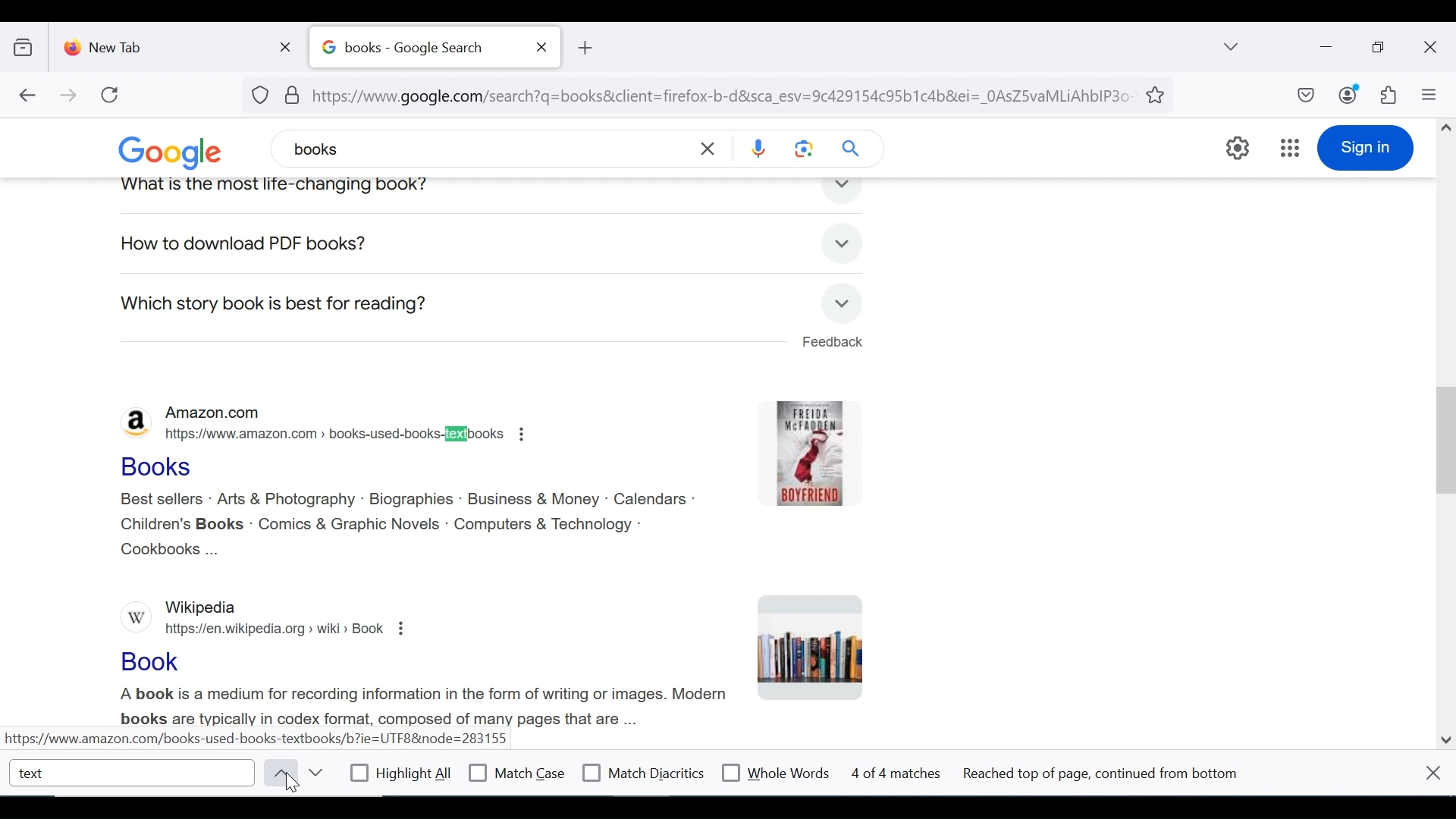 The image size is (1456, 819). I want to click on extensions, so click(1387, 96).